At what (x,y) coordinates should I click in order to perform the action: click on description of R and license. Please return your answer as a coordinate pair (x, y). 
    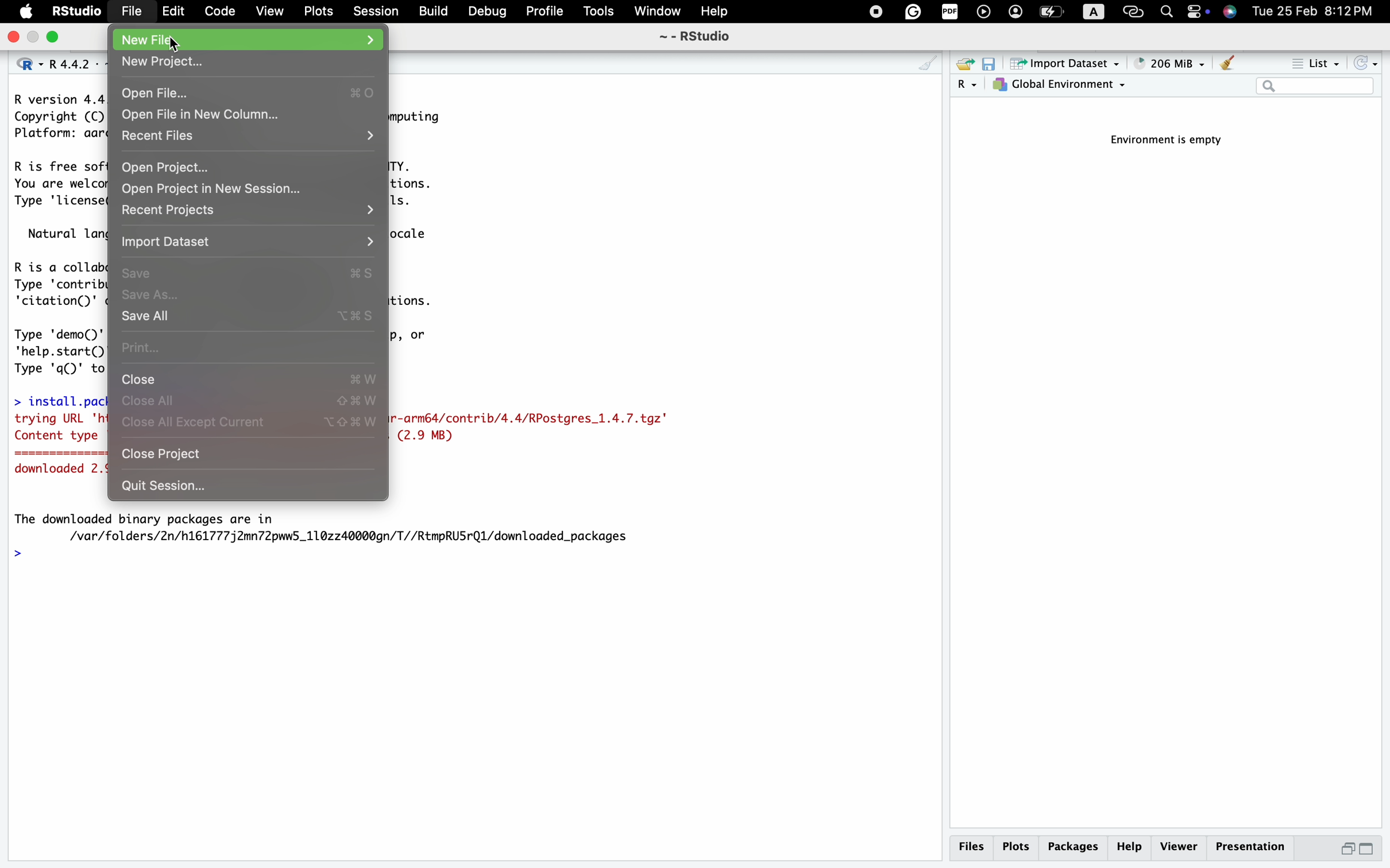
    Looking at the image, I should click on (56, 184).